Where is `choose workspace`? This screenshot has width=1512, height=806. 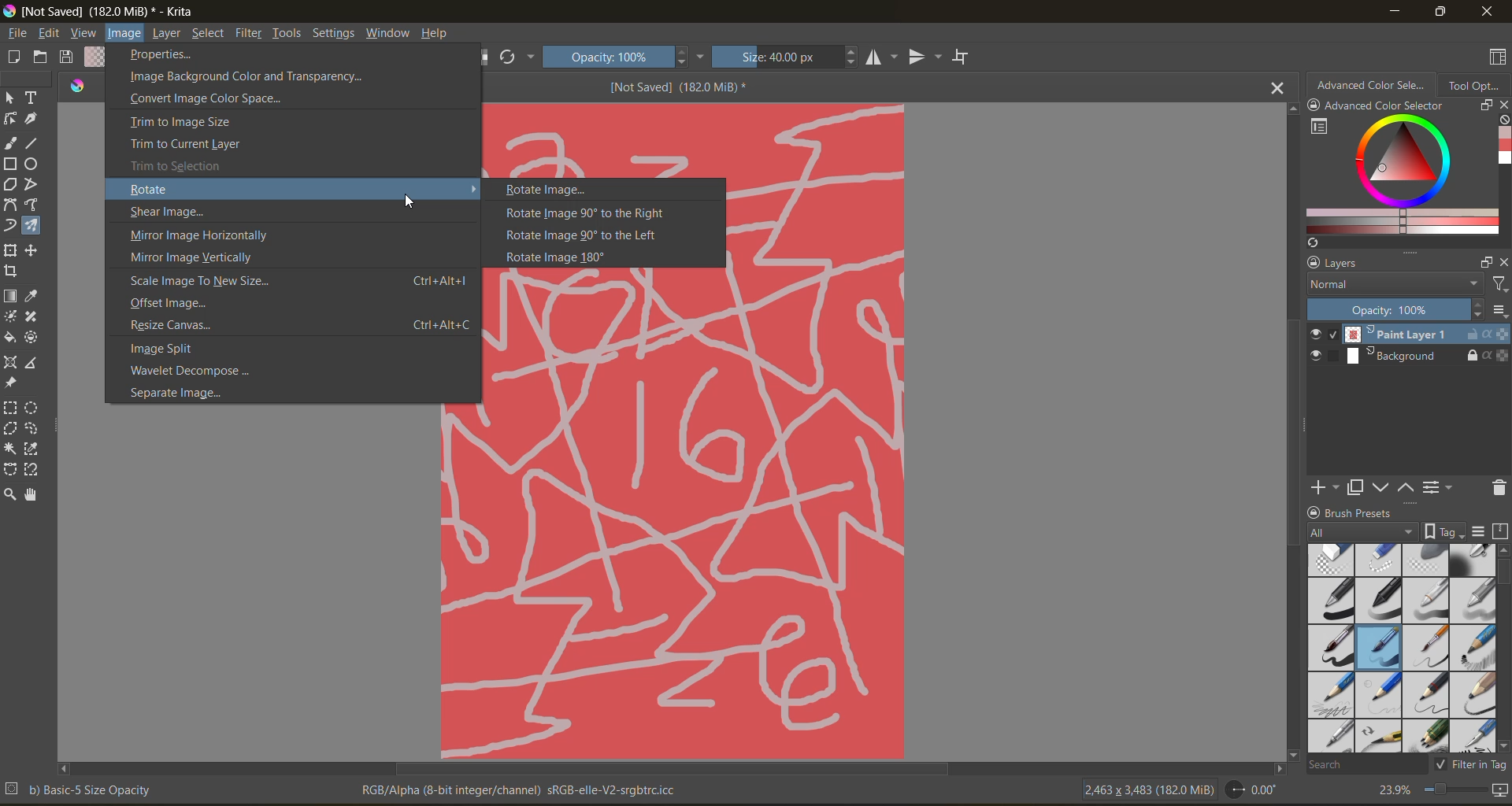 choose workspace is located at coordinates (1499, 57).